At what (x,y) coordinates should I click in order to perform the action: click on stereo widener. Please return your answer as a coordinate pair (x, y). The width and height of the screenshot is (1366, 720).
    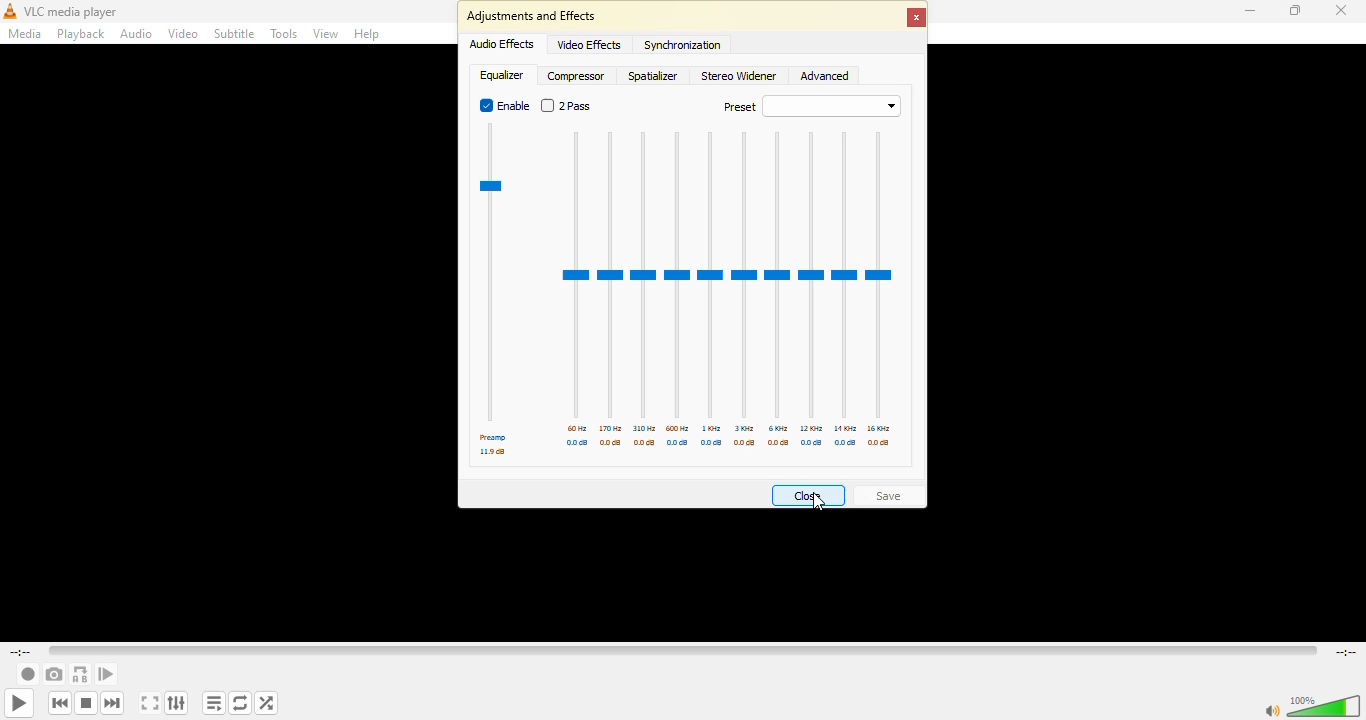
    Looking at the image, I should click on (740, 78).